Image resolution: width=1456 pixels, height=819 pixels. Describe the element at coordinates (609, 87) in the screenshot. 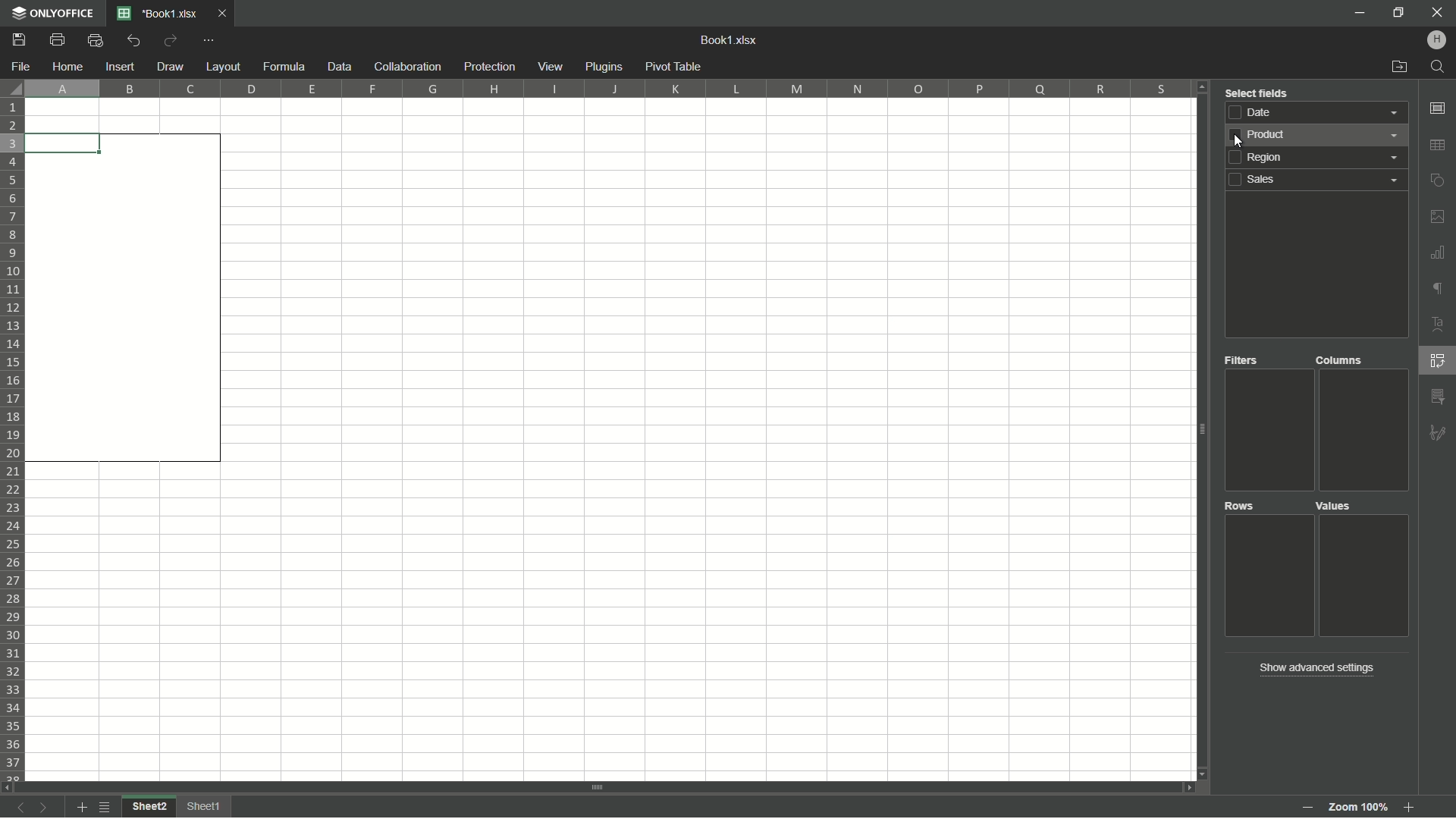

I see `column number` at that location.